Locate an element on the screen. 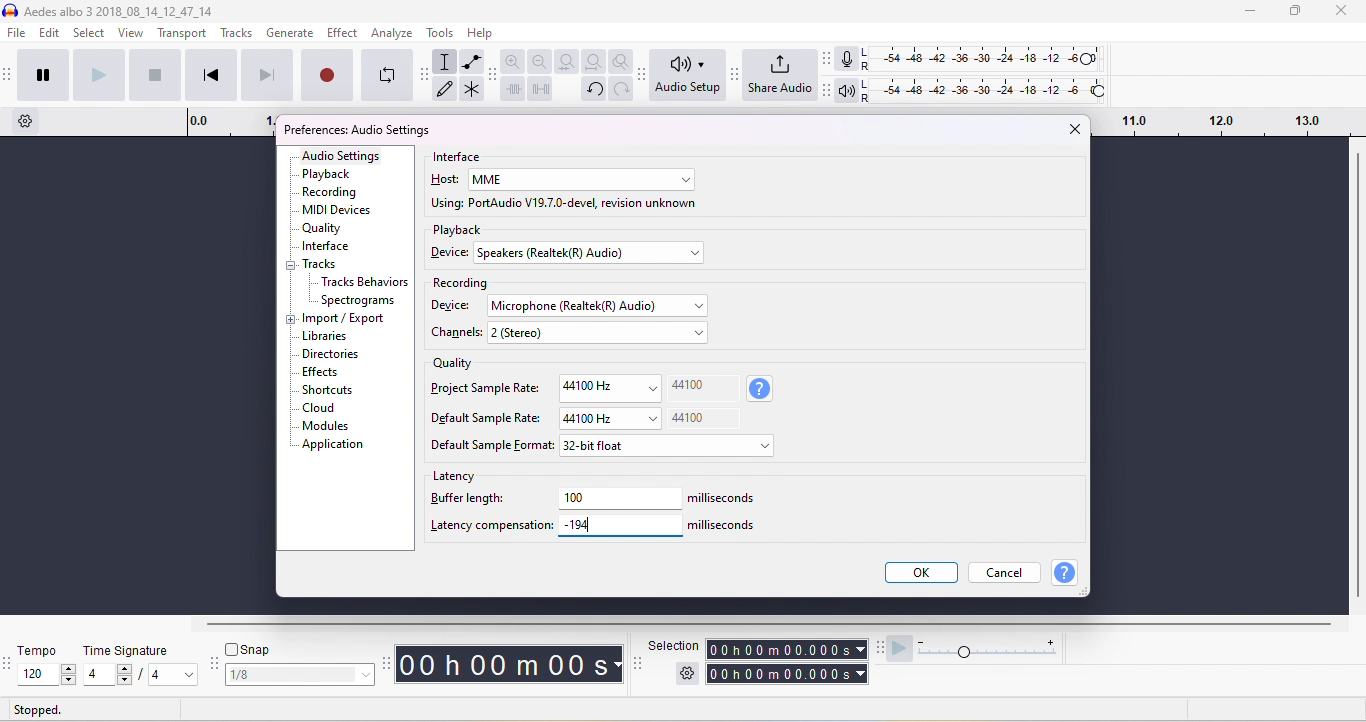 The image size is (1366, 722). sample rate information is located at coordinates (761, 389).